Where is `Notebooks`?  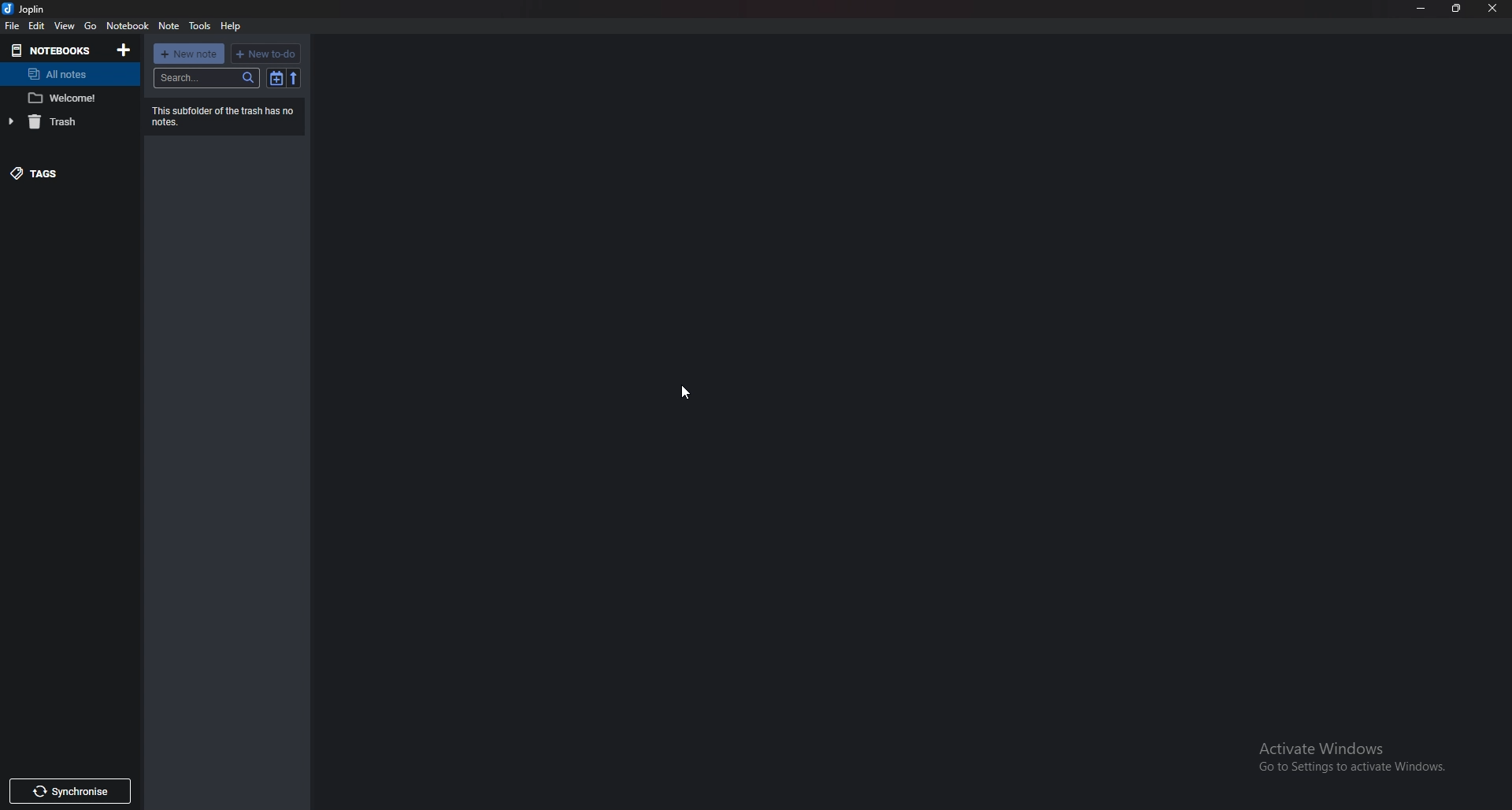
Notebooks is located at coordinates (53, 51).